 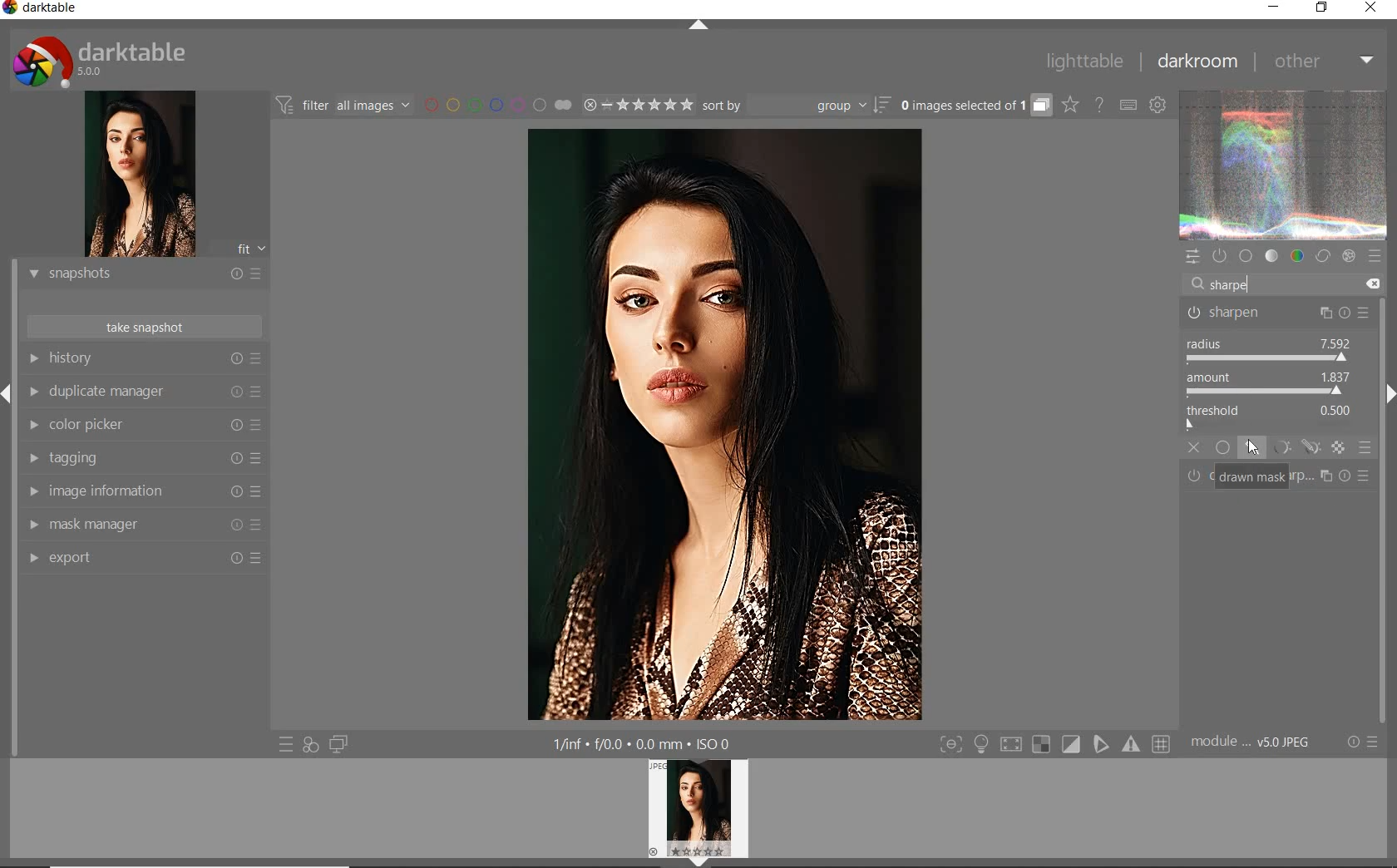 I want to click on sort, so click(x=795, y=104).